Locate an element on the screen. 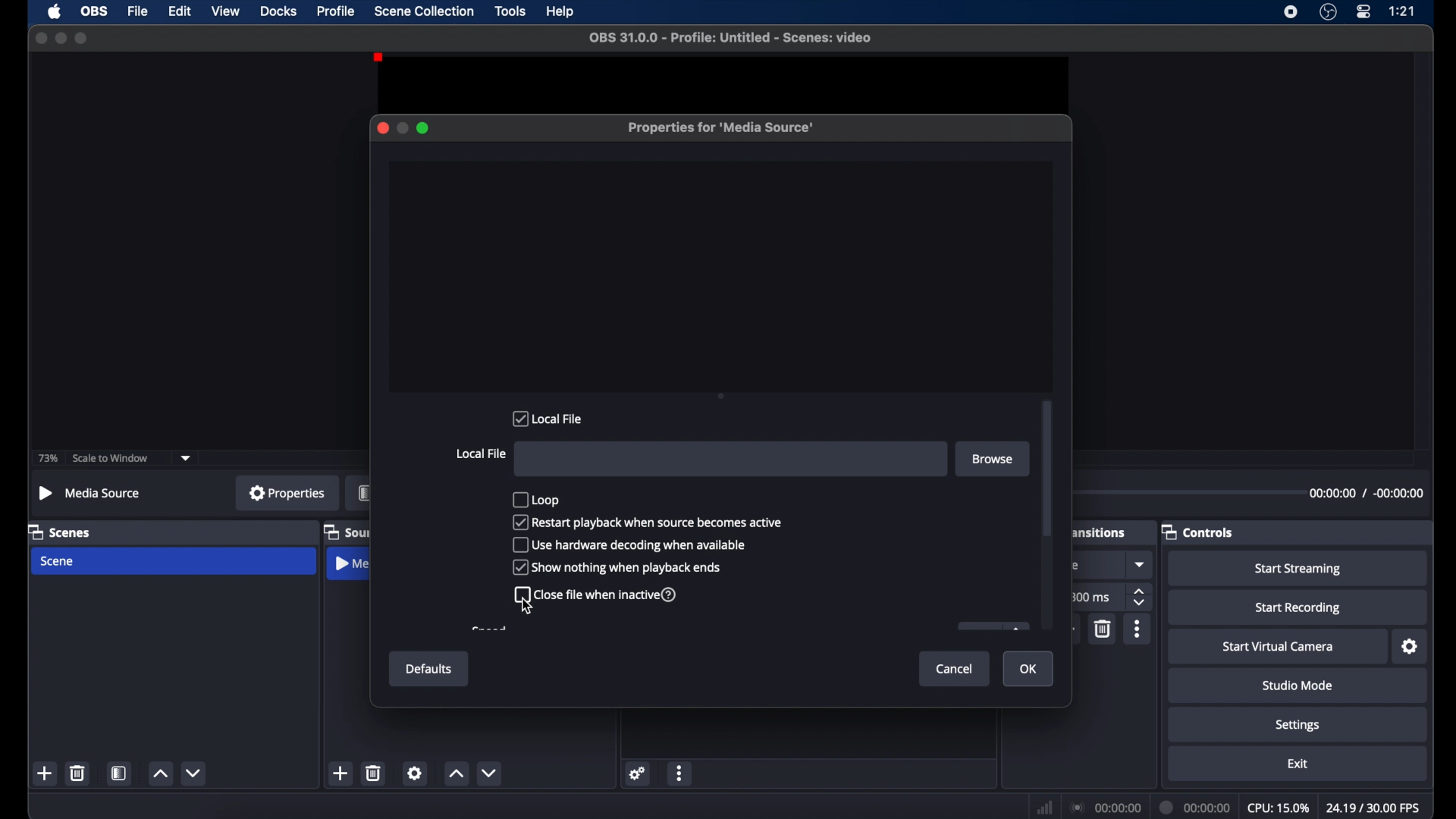 The width and height of the screenshot is (1456, 819). duration is located at coordinates (1195, 807).